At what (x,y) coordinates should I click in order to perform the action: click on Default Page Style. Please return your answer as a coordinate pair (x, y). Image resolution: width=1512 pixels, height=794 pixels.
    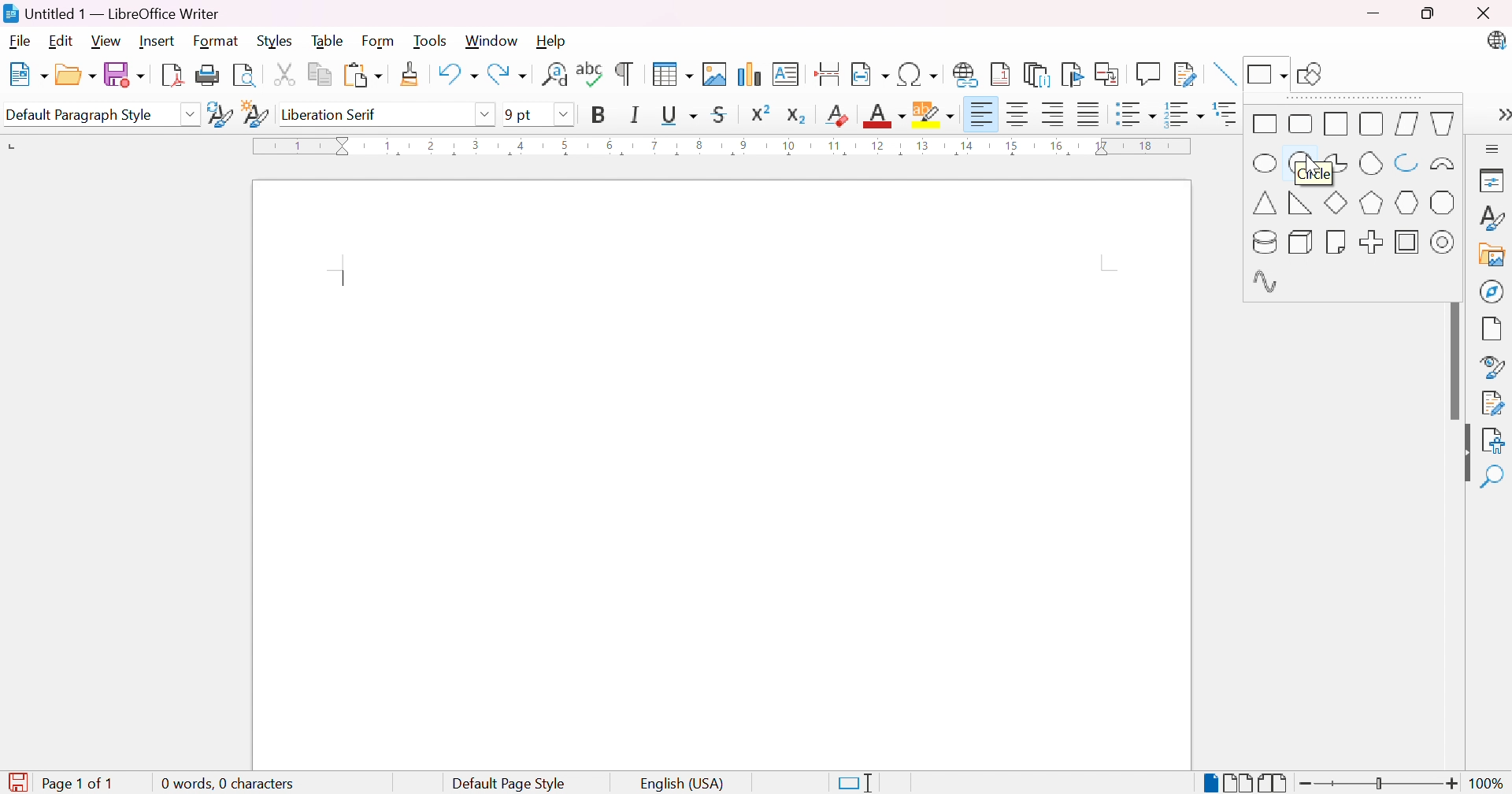
    Looking at the image, I should click on (509, 785).